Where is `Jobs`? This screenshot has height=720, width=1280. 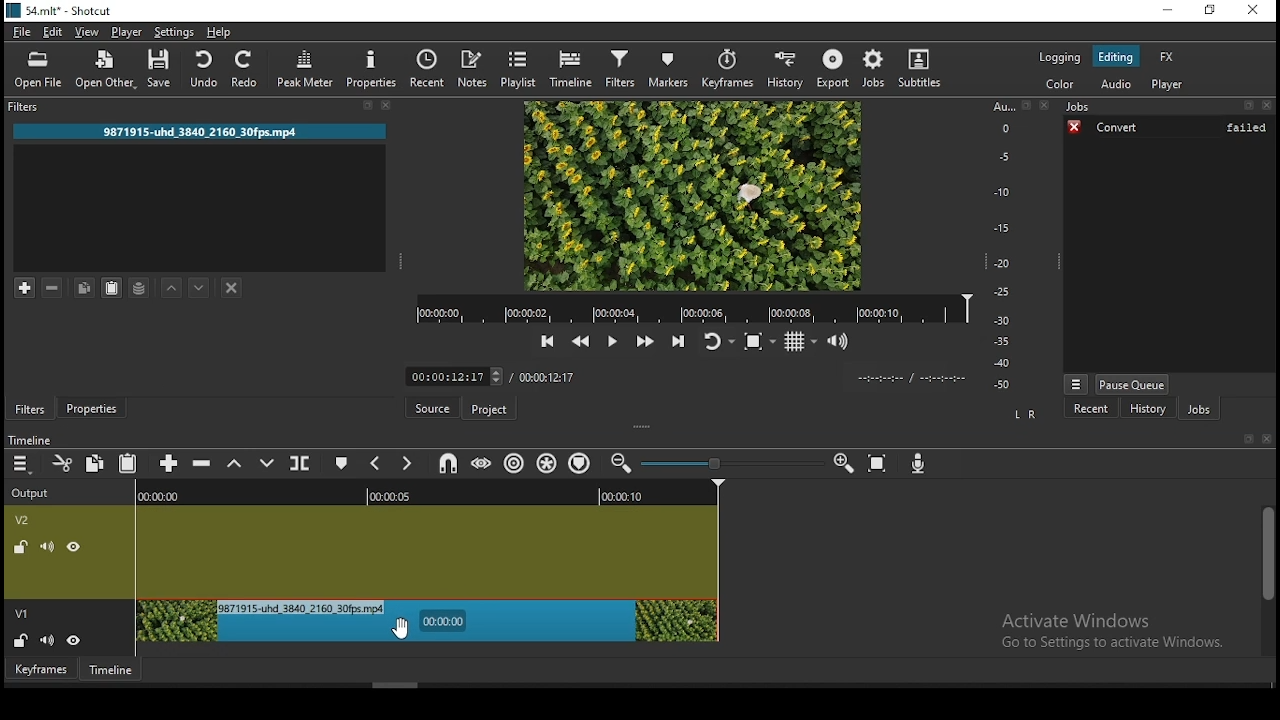
Jobs is located at coordinates (1168, 107).